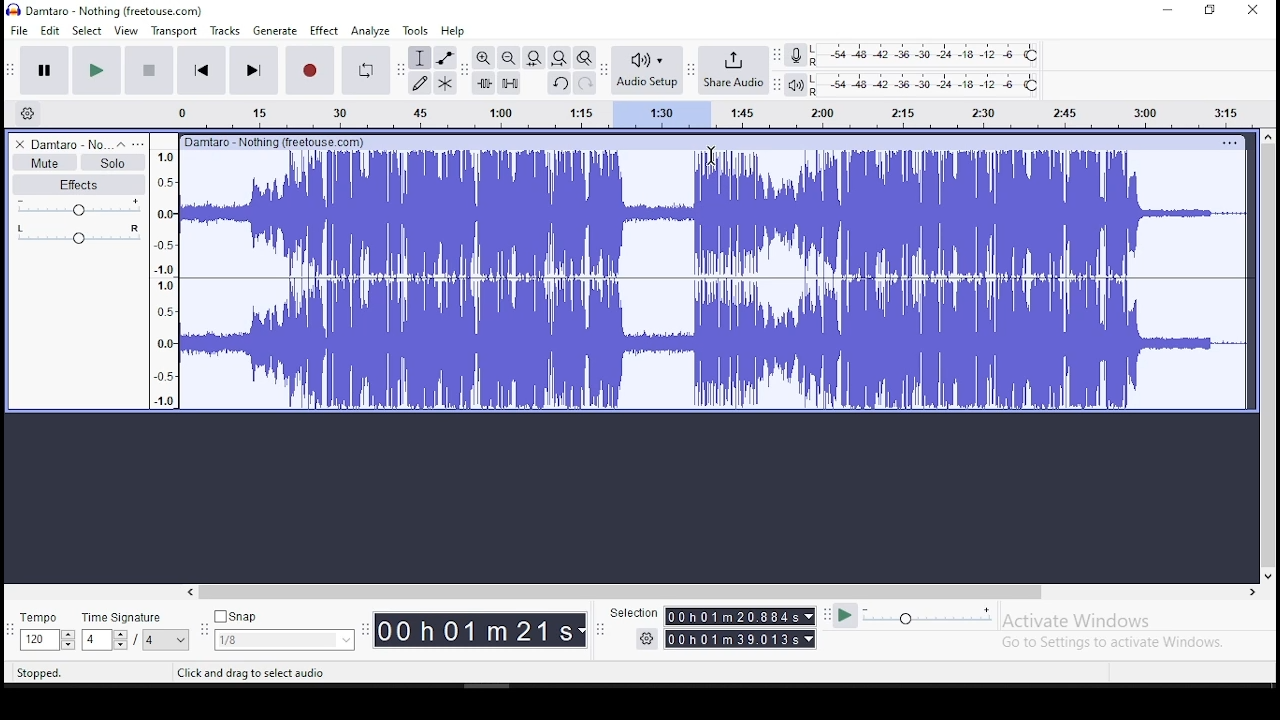  Describe the element at coordinates (364, 71) in the screenshot. I see `enable looping` at that location.